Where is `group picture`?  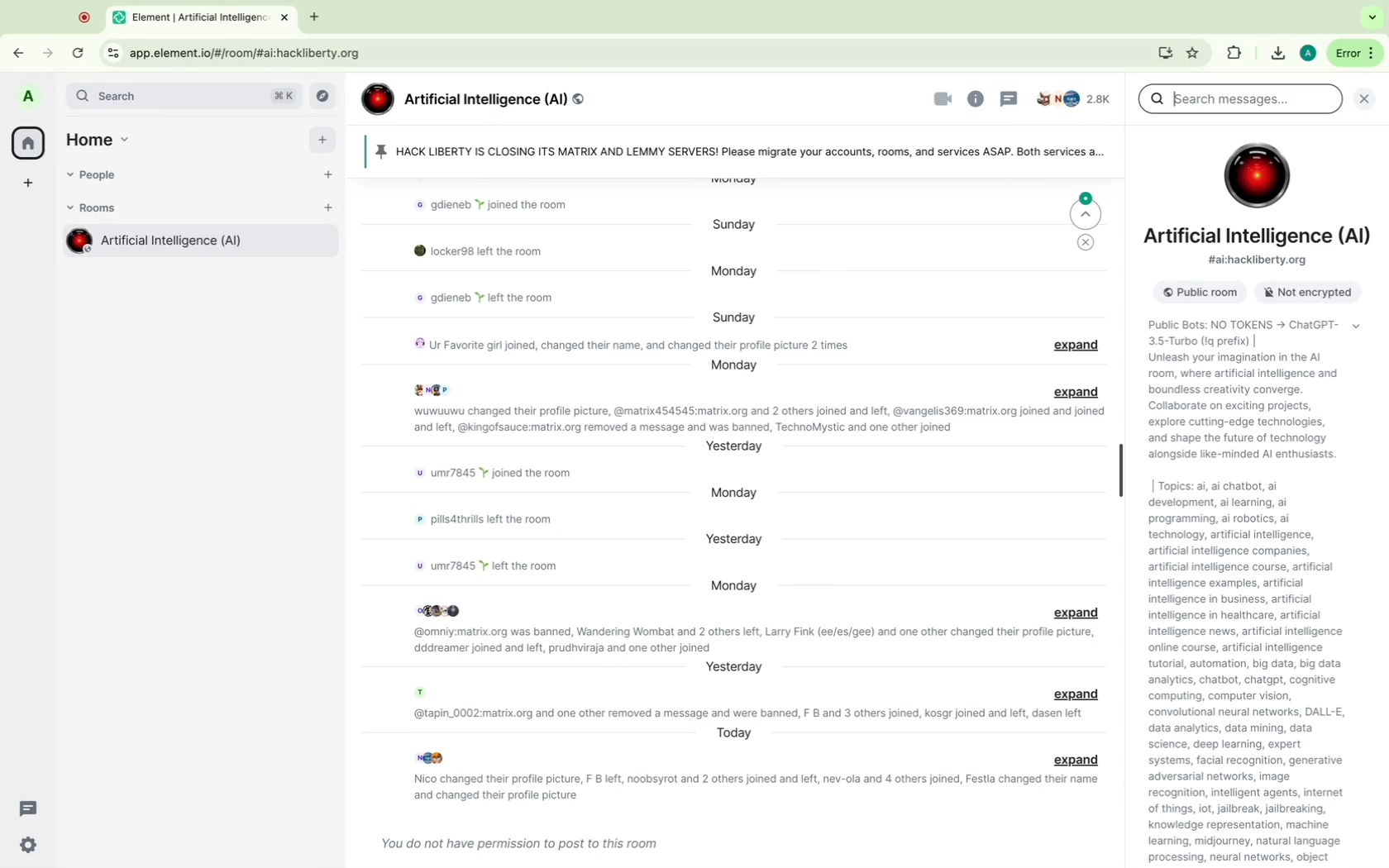
group picture is located at coordinates (1256, 175).